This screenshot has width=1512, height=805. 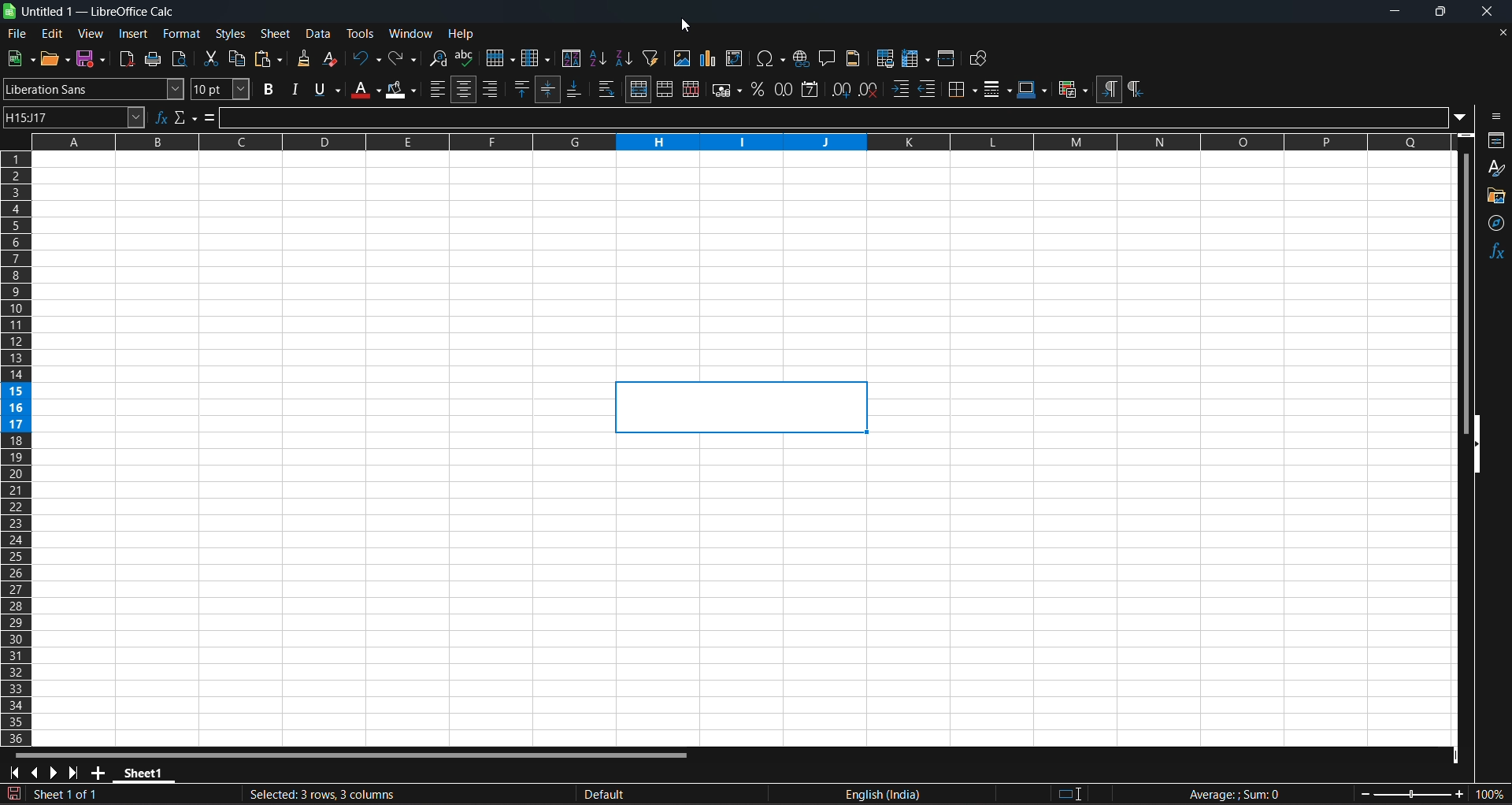 I want to click on headers and footers, so click(x=855, y=58).